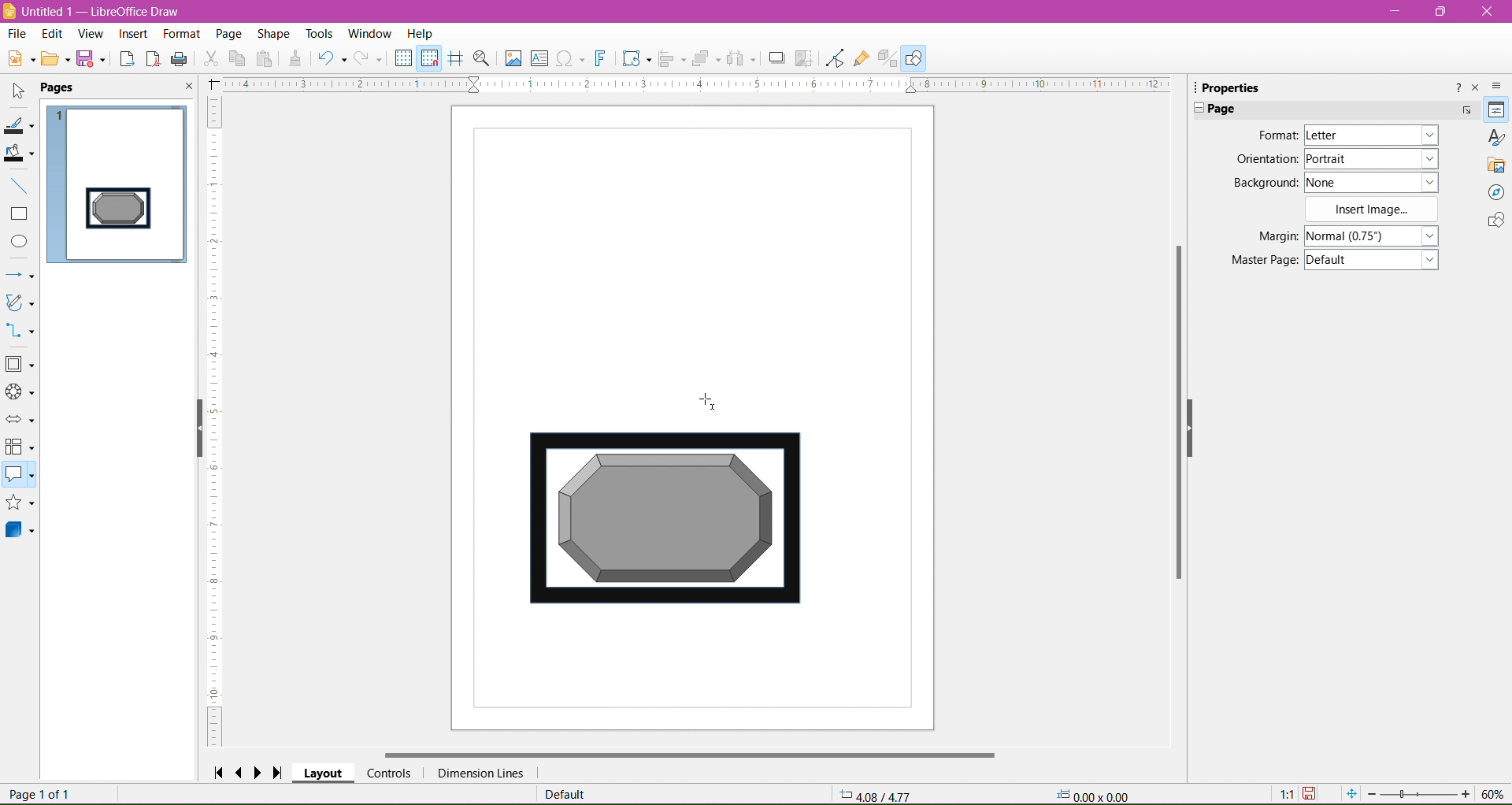 This screenshot has width=1512, height=805. I want to click on Ruler, so click(696, 85).